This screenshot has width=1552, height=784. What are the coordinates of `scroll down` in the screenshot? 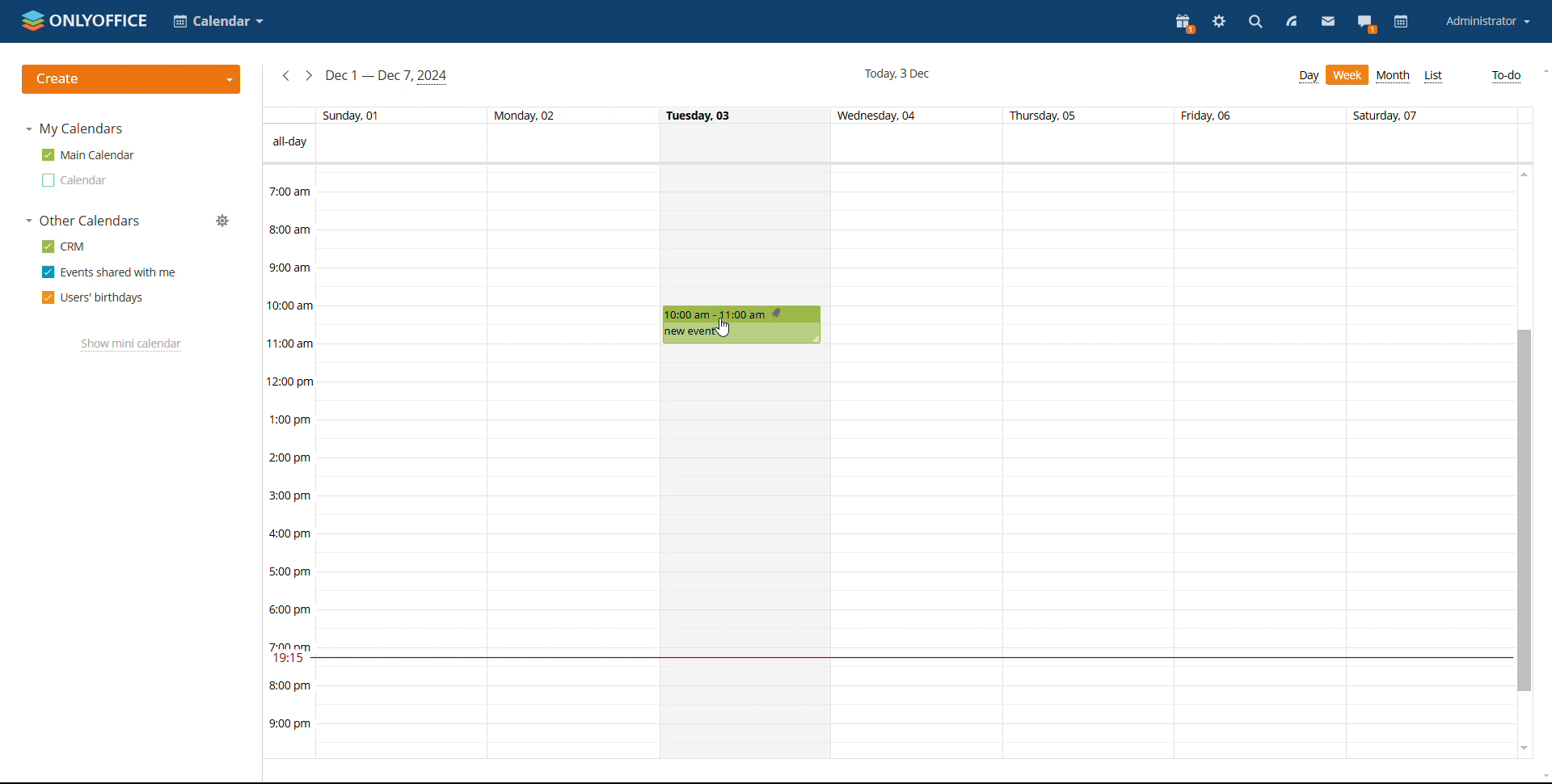 It's located at (1542, 776).